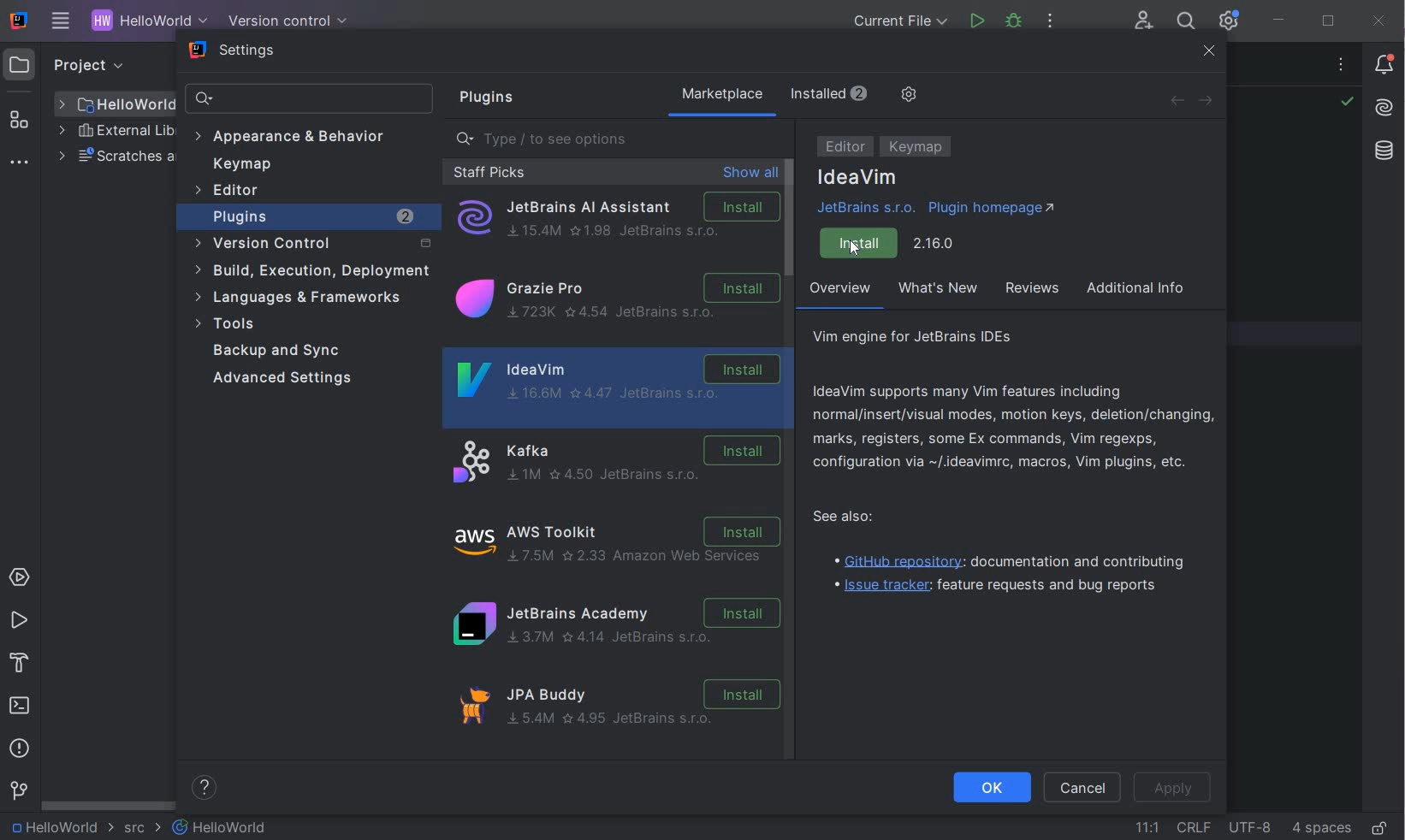  Describe the element at coordinates (234, 52) in the screenshot. I see `settings` at that location.